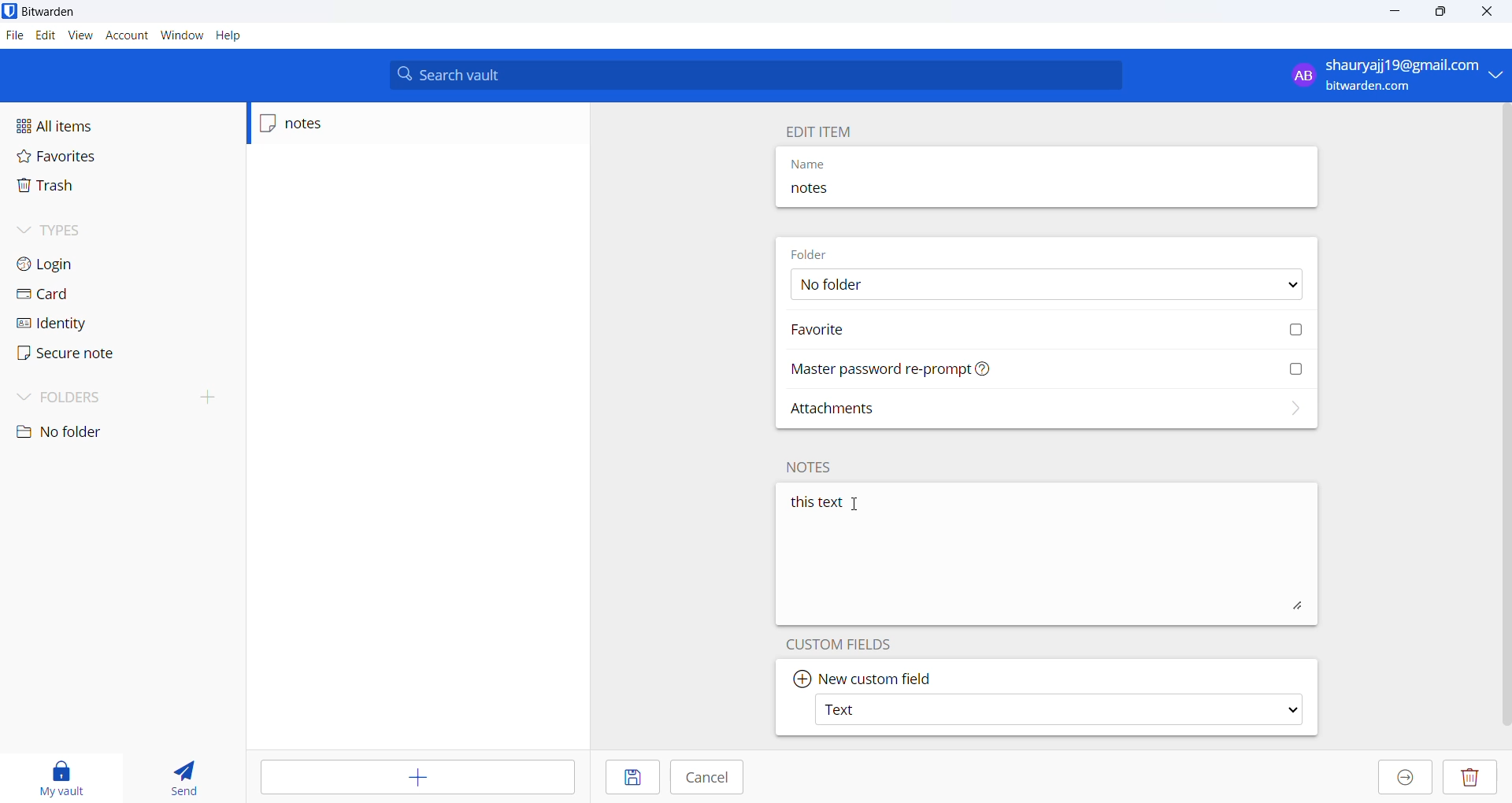 Image resolution: width=1512 pixels, height=803 pixels. What do you see at coordinates (116, 396) in the screenshot?
I see `folder` at bounding box center [116, 396].